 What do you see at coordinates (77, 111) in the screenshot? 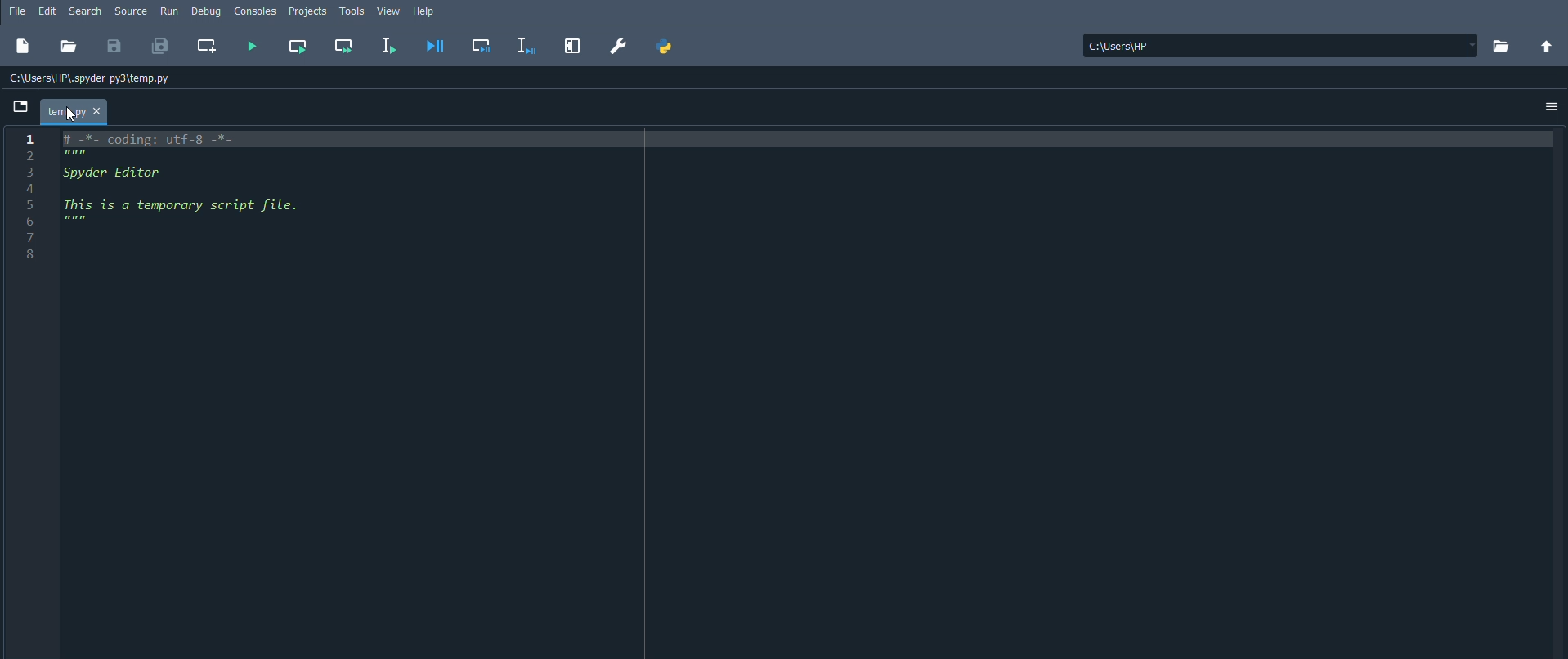
I see `Temporary file` at bounding box center [77, 111].